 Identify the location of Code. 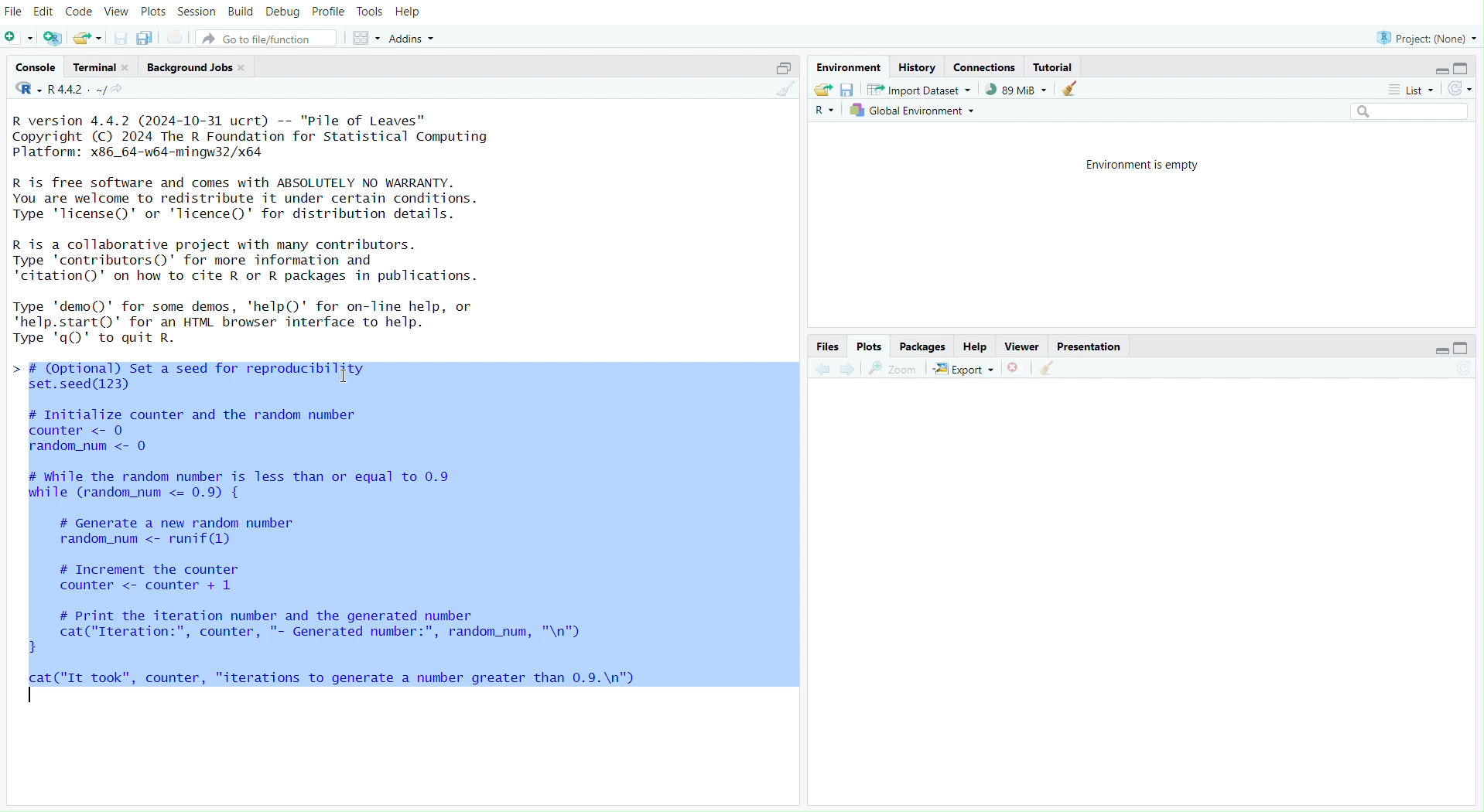
(77, 11).